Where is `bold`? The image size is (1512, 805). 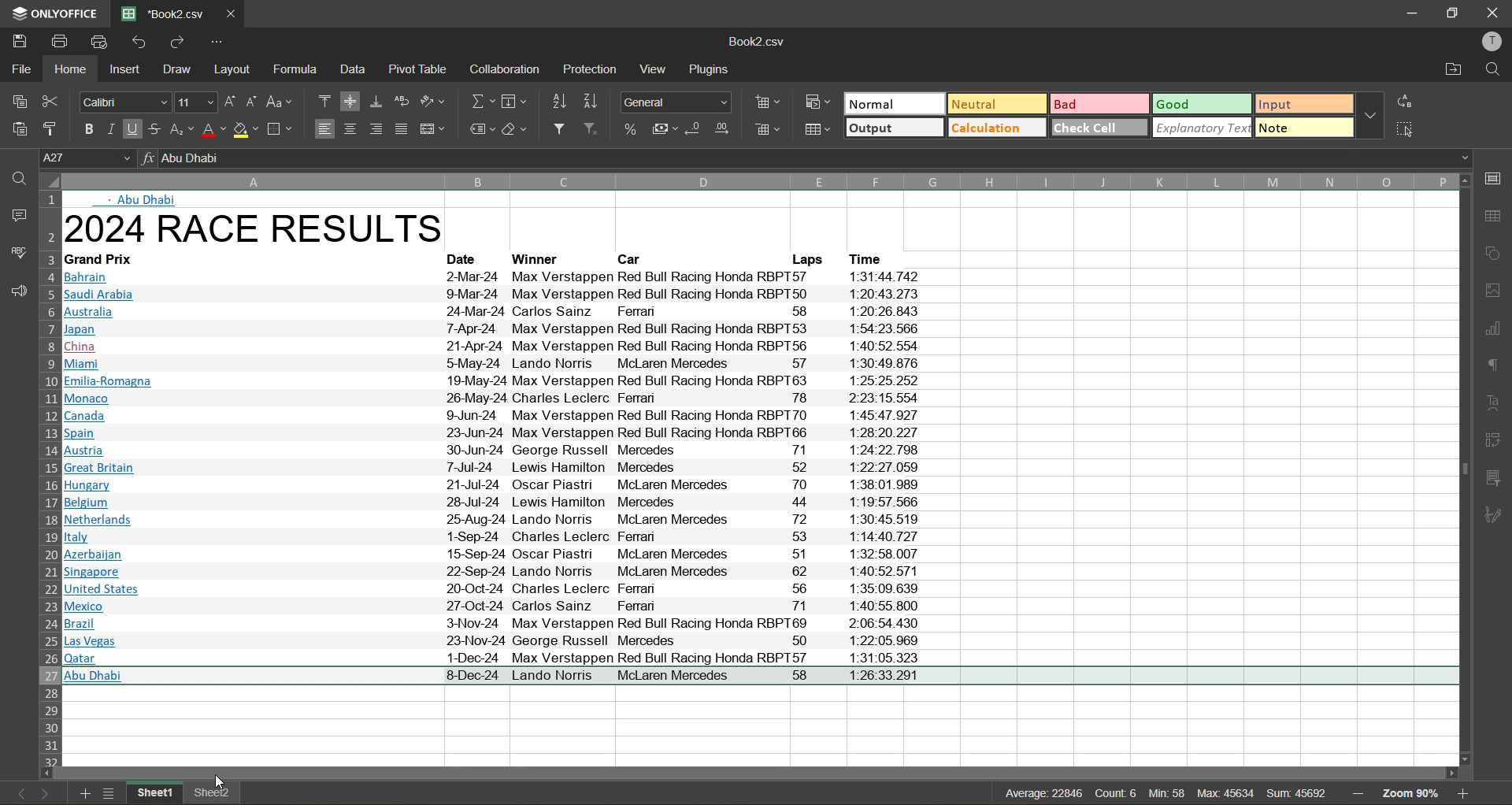
bold is located at coordinates (84, 127).